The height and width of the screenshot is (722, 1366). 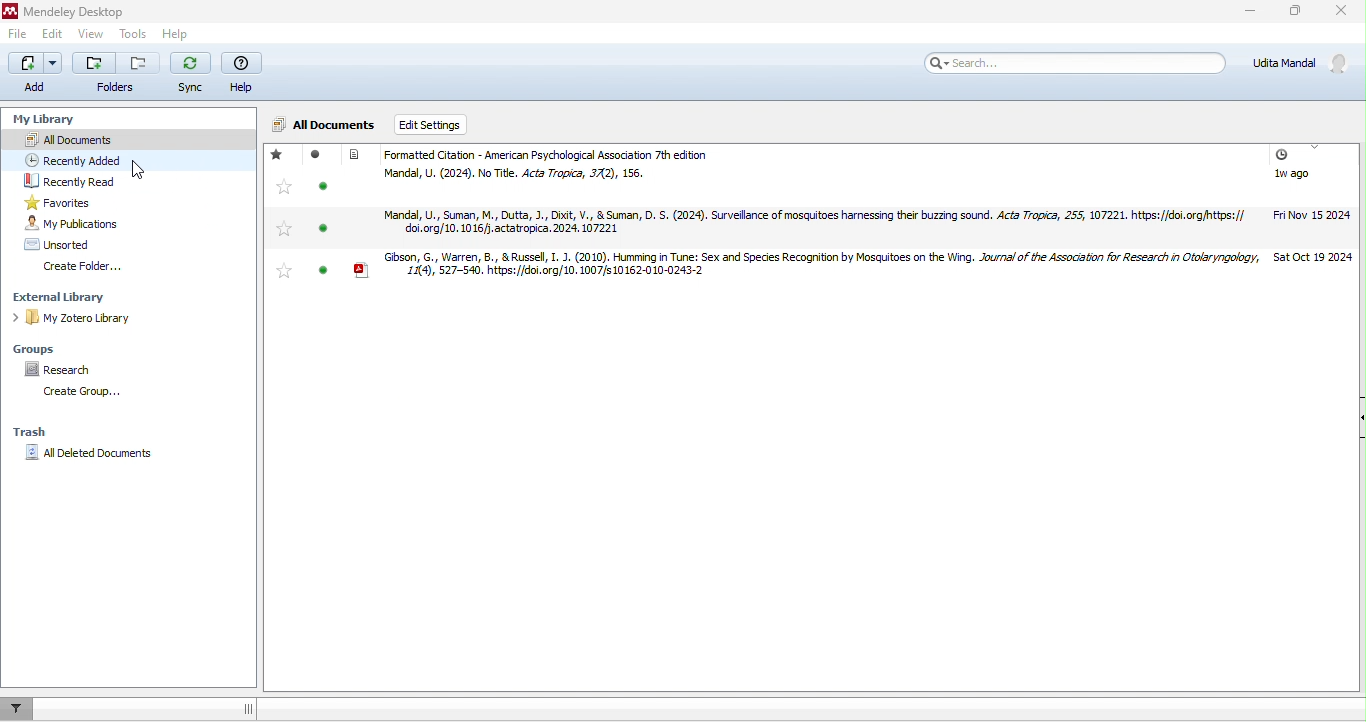 What do you see at coordinates (70, 223) in the screenshot?
I see `my publication` at bounding box center [70, 223].